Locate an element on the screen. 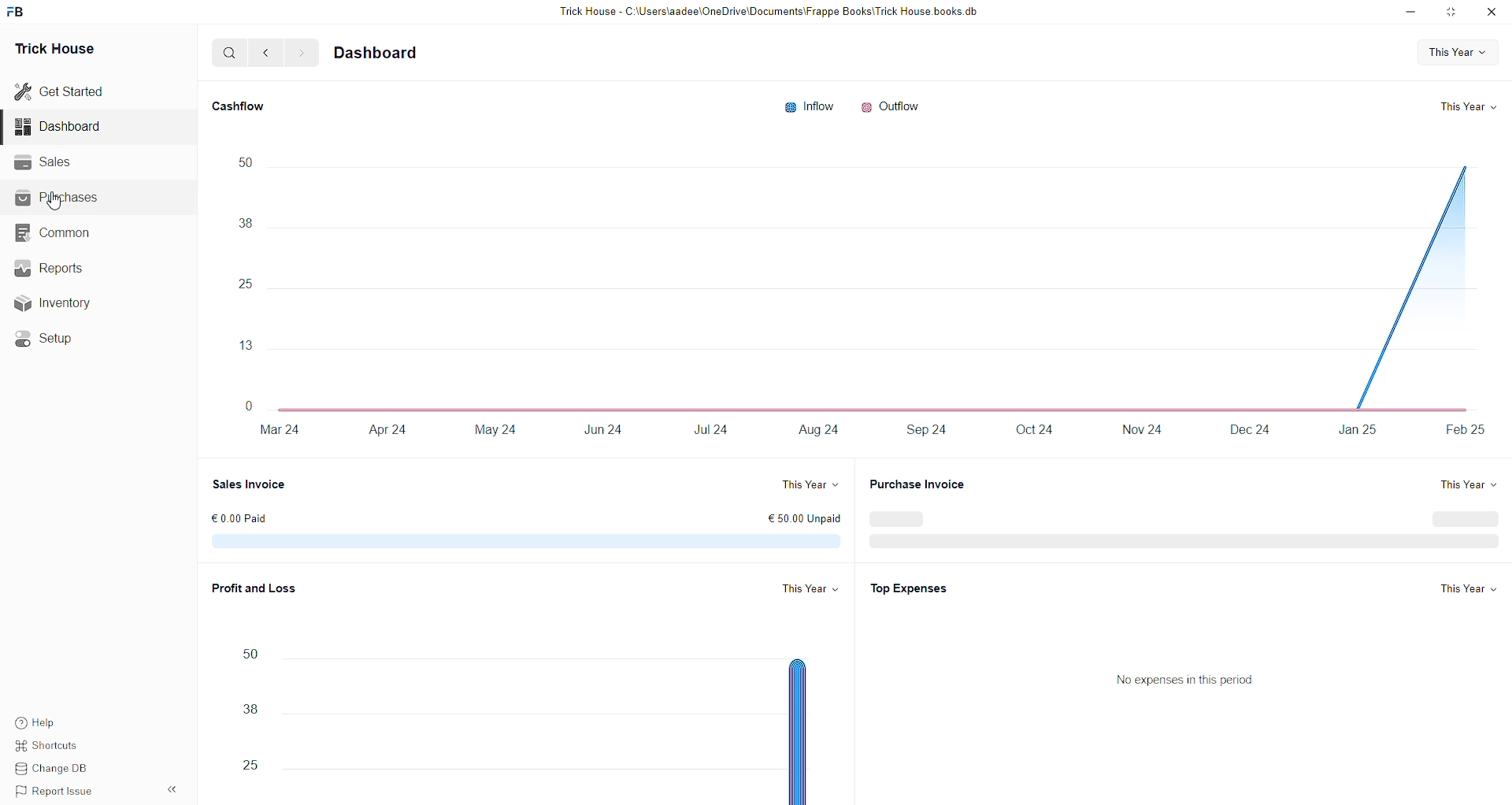  50 is located at coordinates (250, 652).